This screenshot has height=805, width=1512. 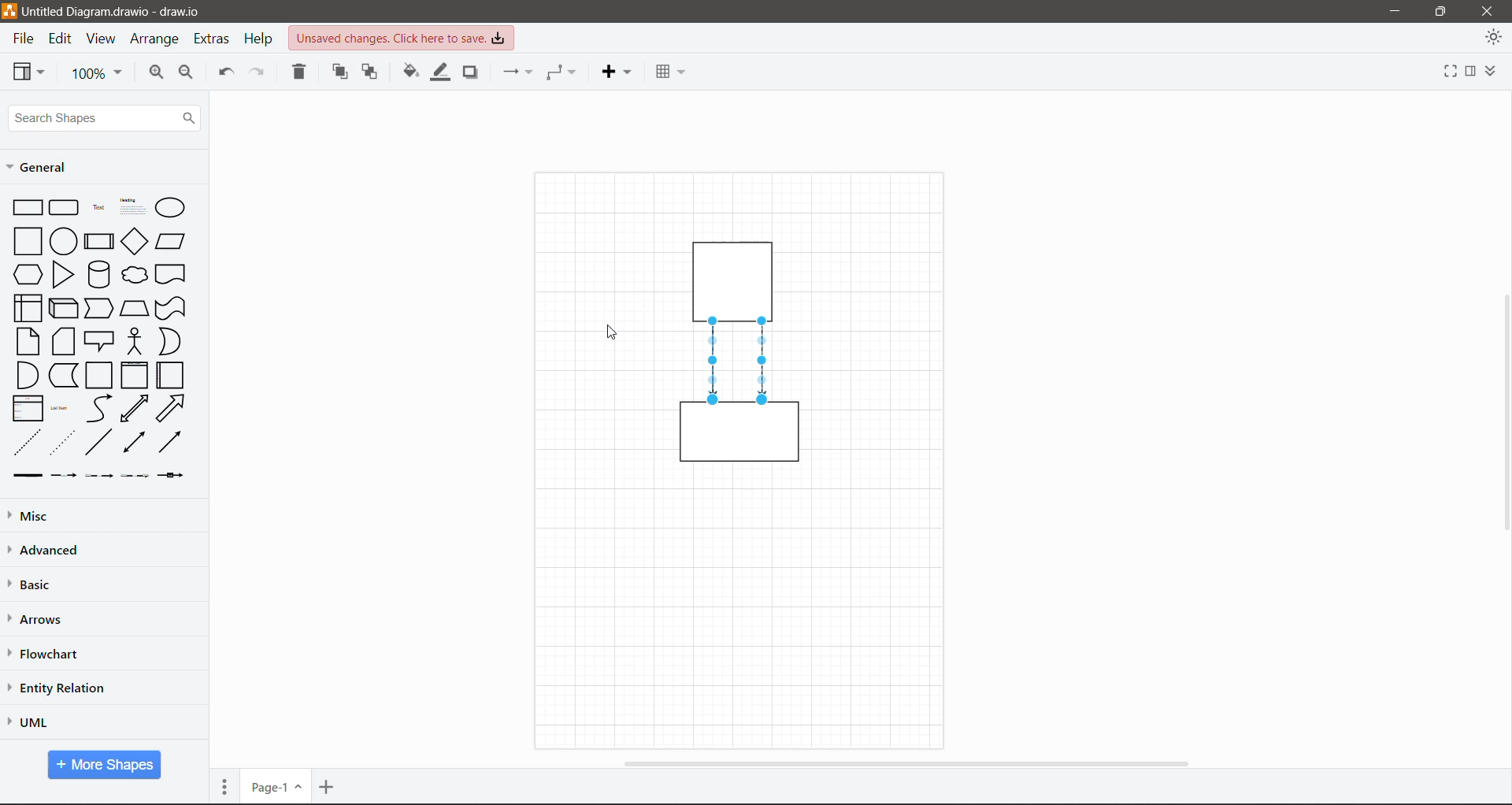 I want to click on link, so click(x=24, y=476).